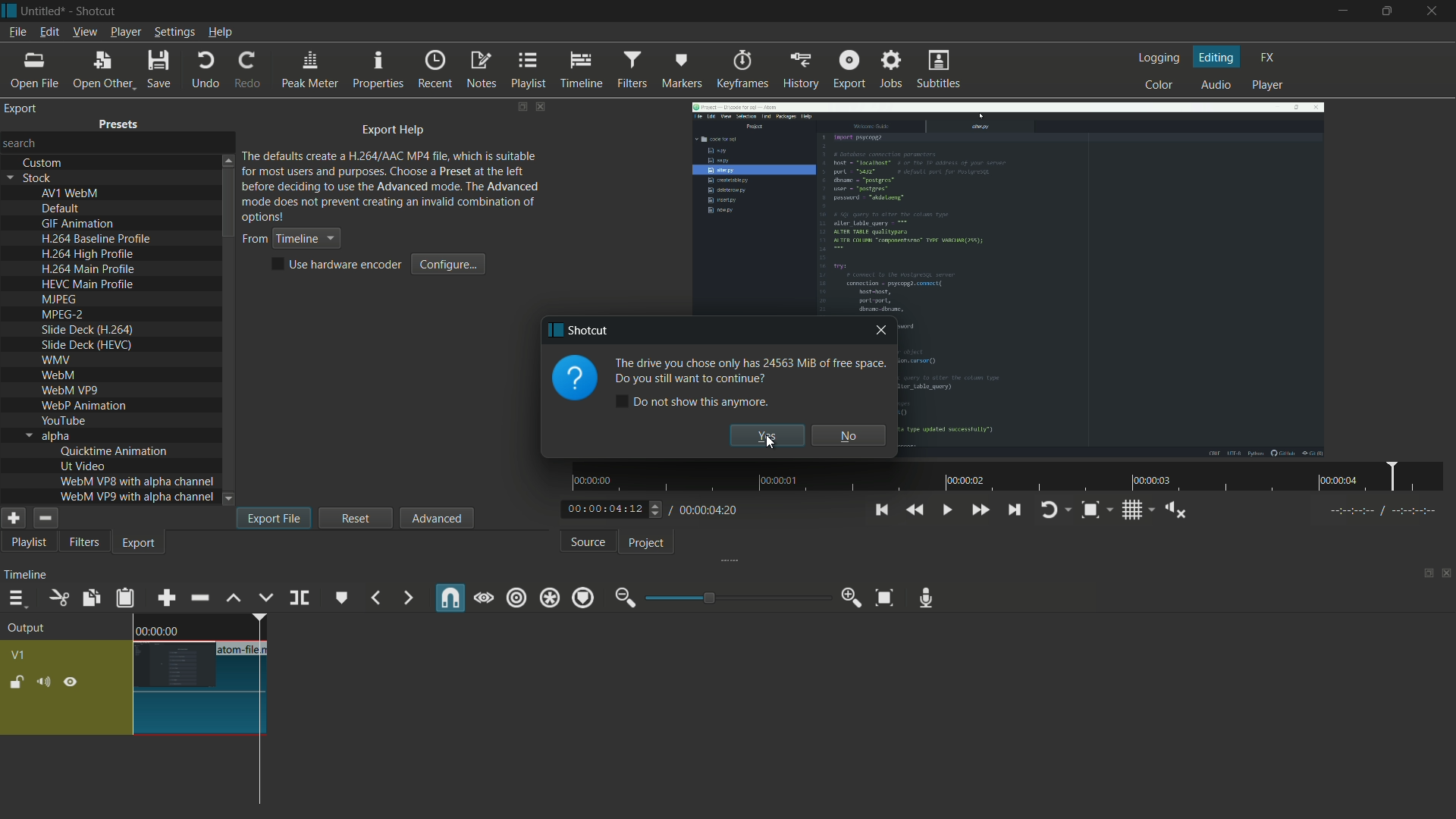  I want to click on app icon, so click(9, 10).